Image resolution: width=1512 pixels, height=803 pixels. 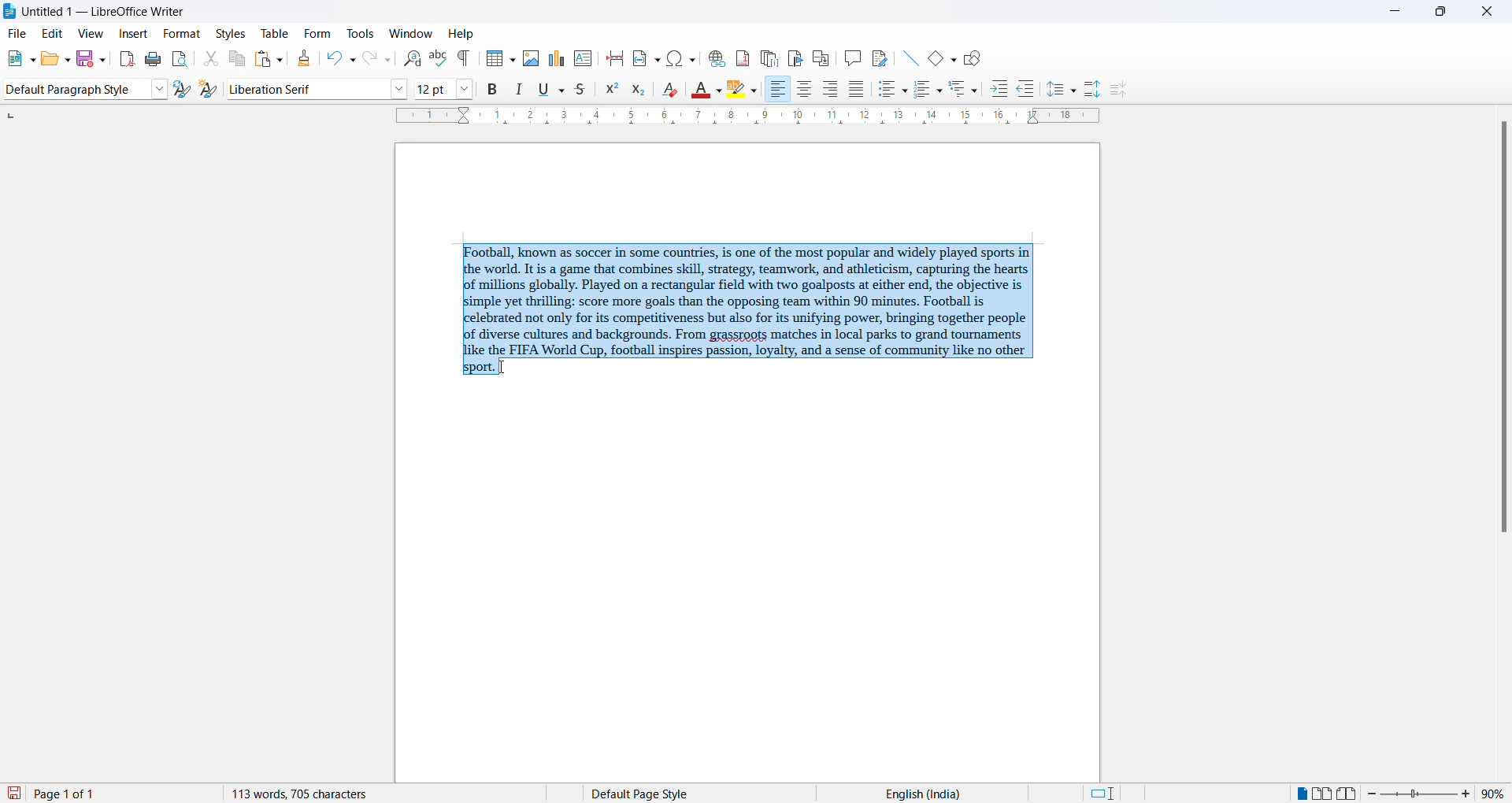 I want to click on superscript, so click(x=613, y=90).